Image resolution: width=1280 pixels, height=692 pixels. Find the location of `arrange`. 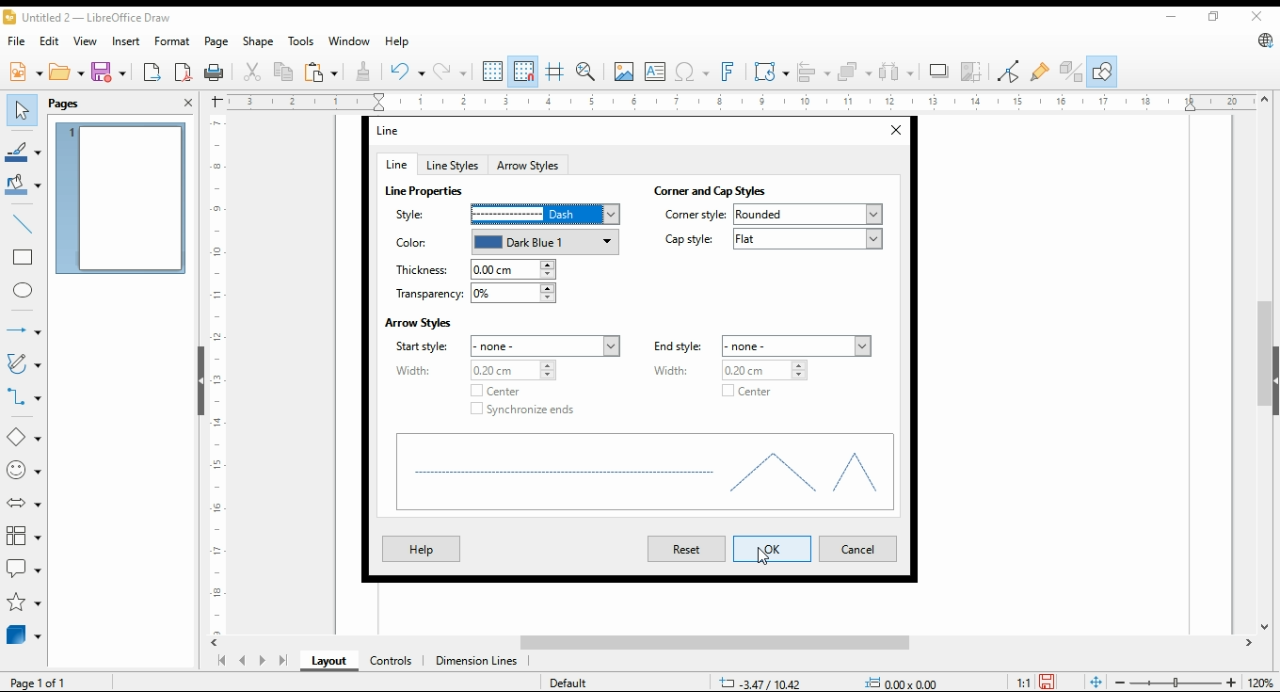

arrange is located at coordinates (852, 70).